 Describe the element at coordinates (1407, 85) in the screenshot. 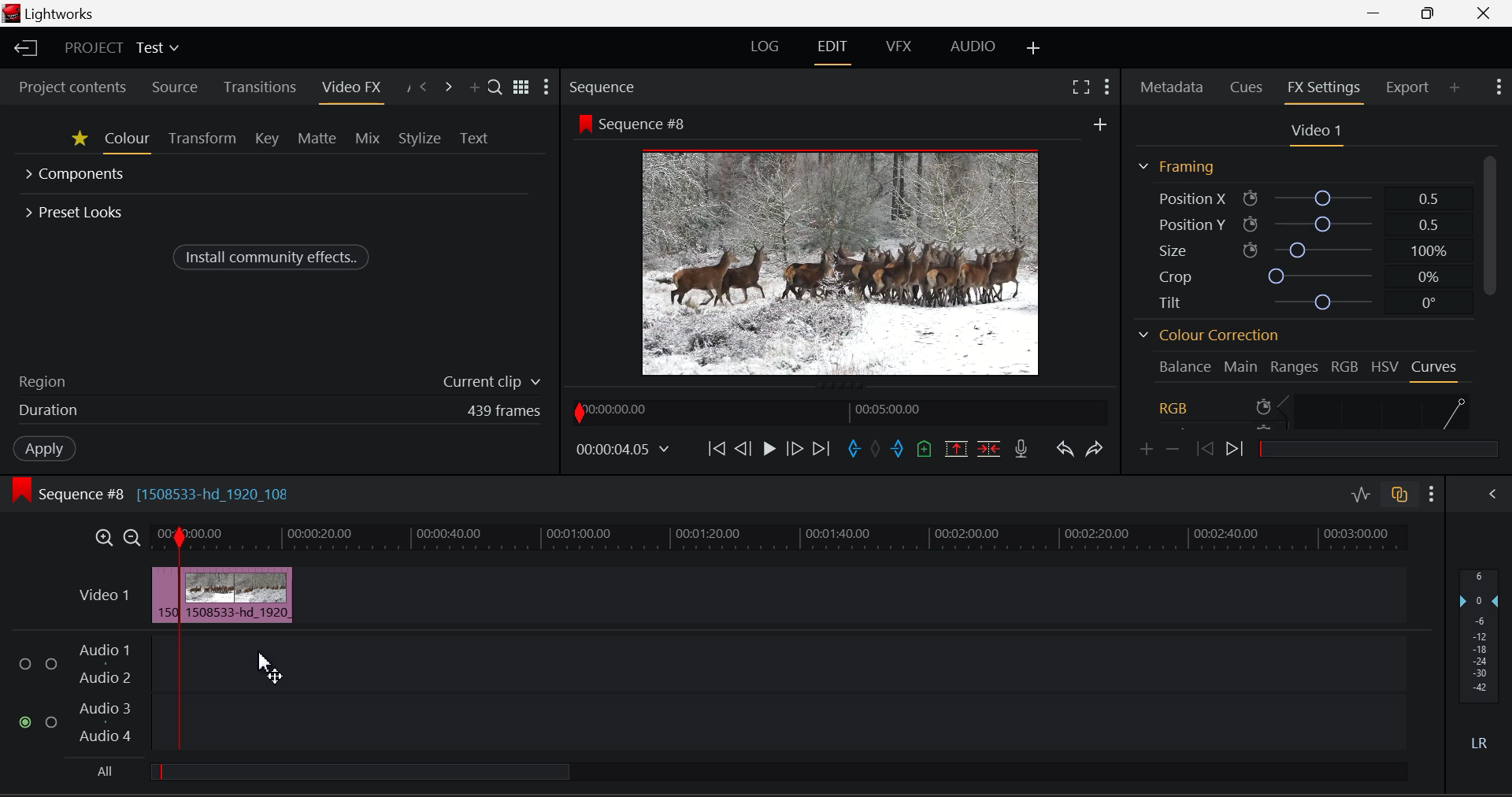

I see `Export` at that location.